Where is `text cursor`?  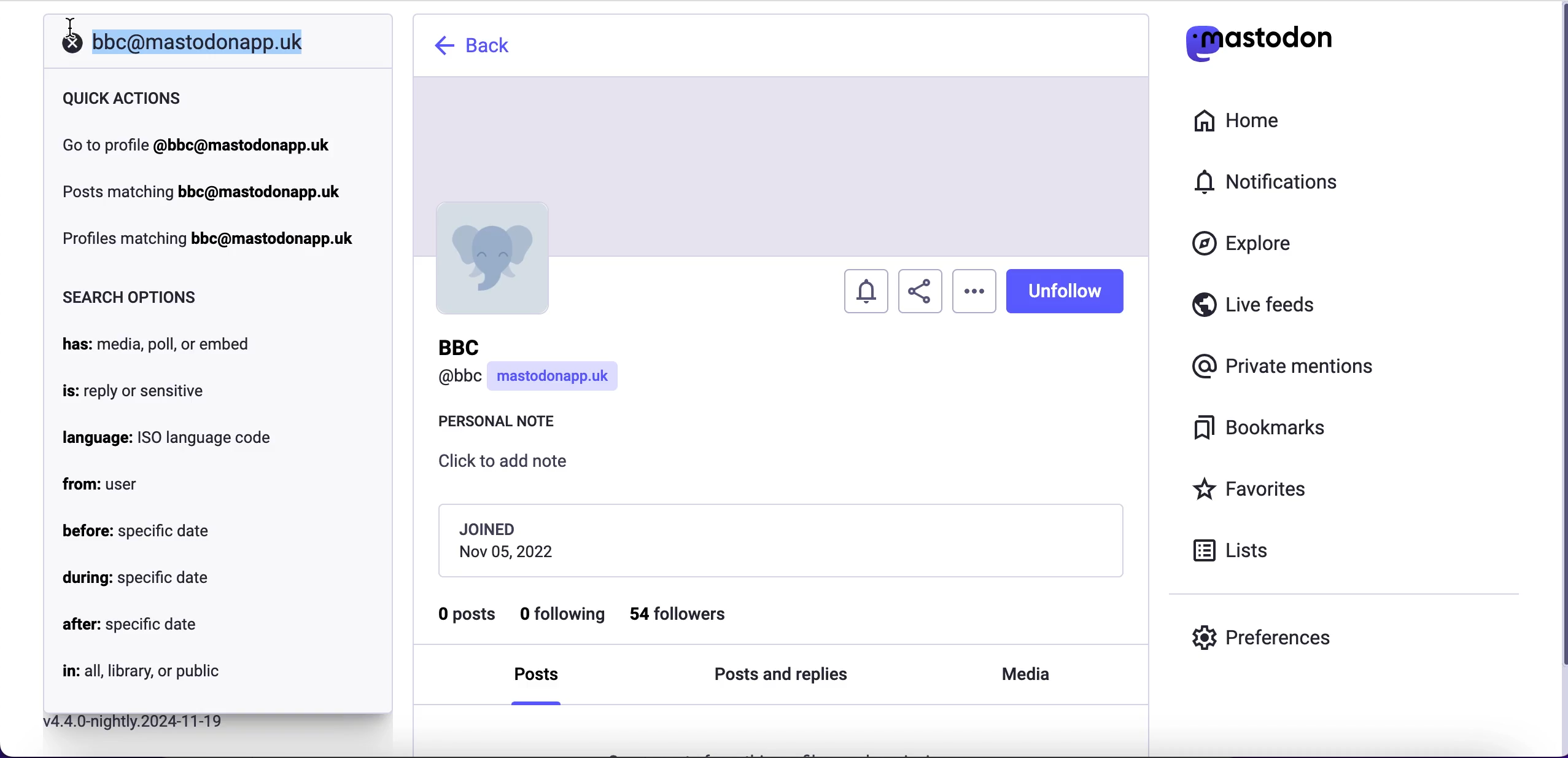
text cursor is located at coordinates (69, 29).